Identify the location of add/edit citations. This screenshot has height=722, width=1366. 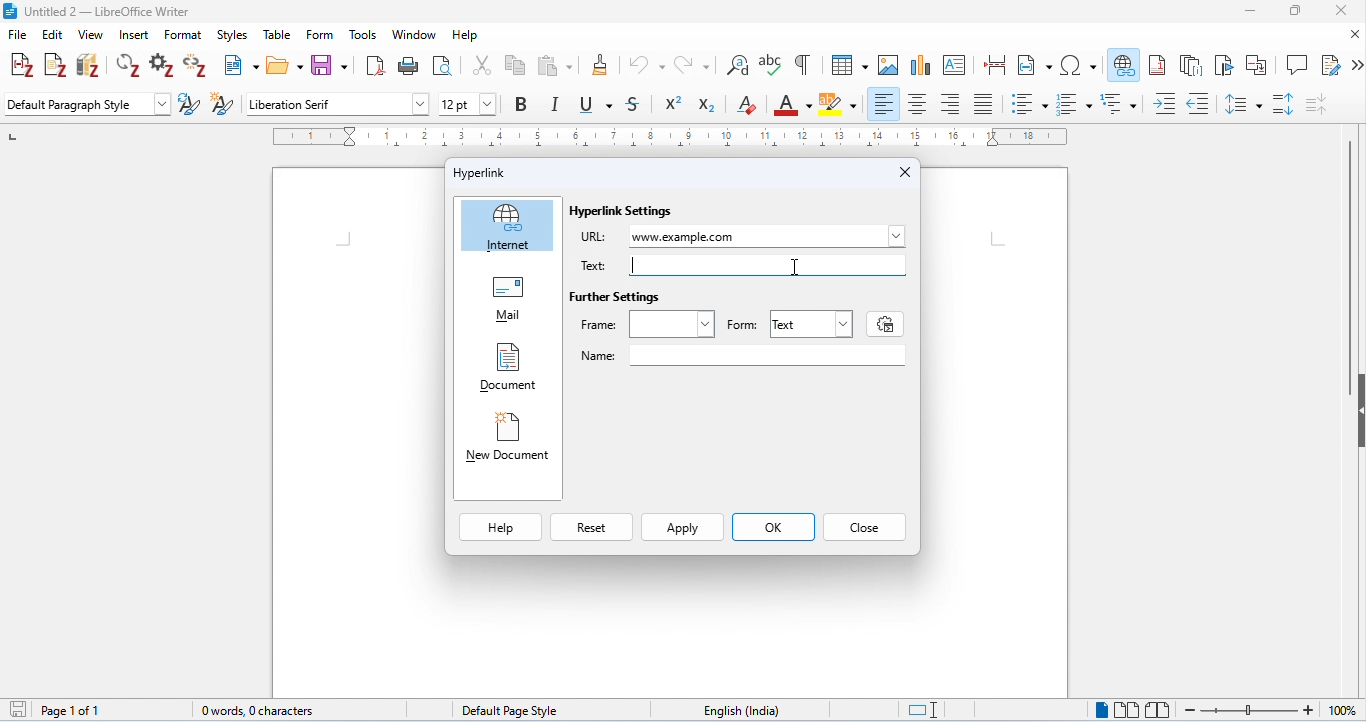
(23, 67).